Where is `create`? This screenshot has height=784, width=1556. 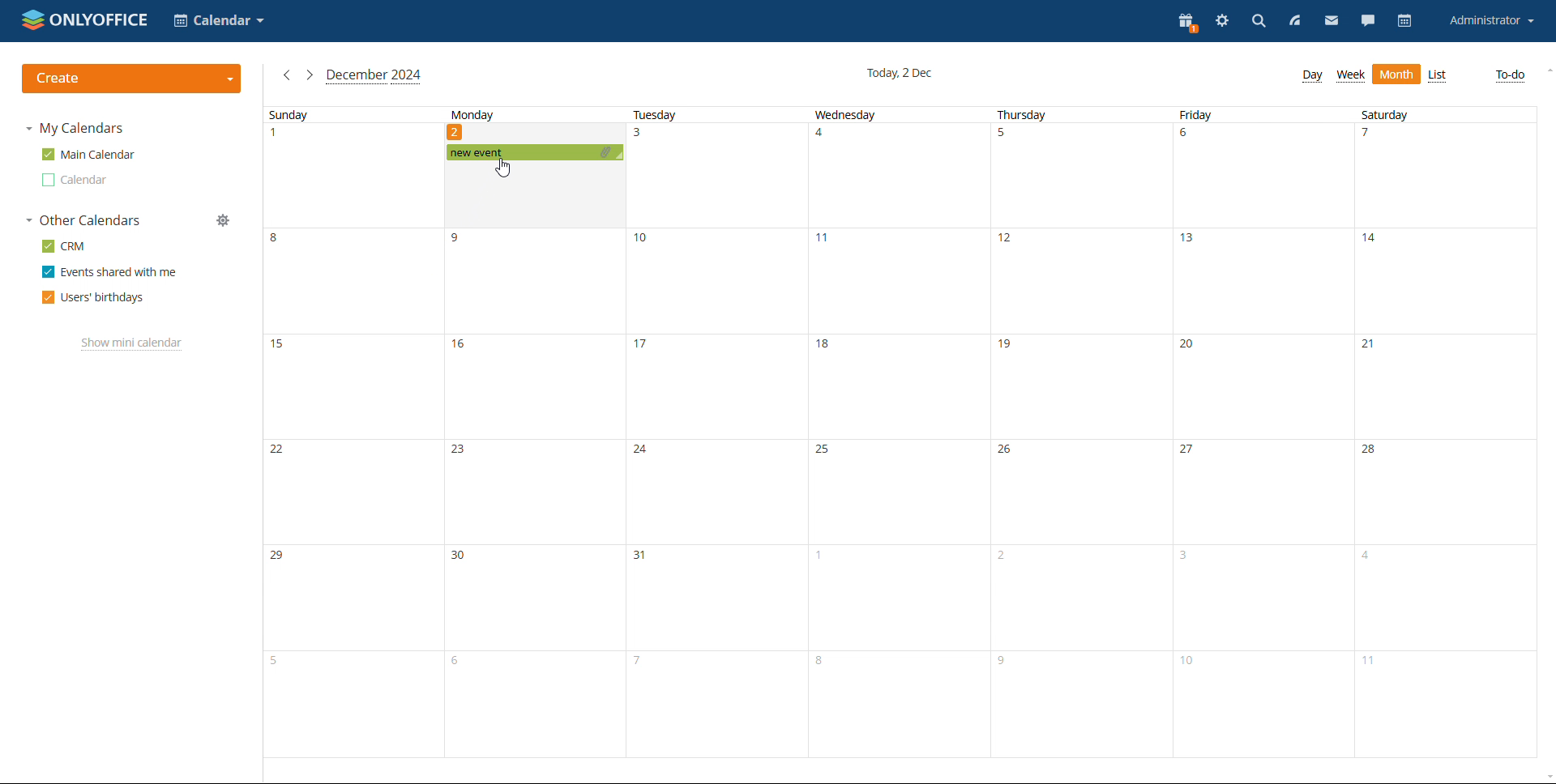 create is located at coordinates (131, 79).